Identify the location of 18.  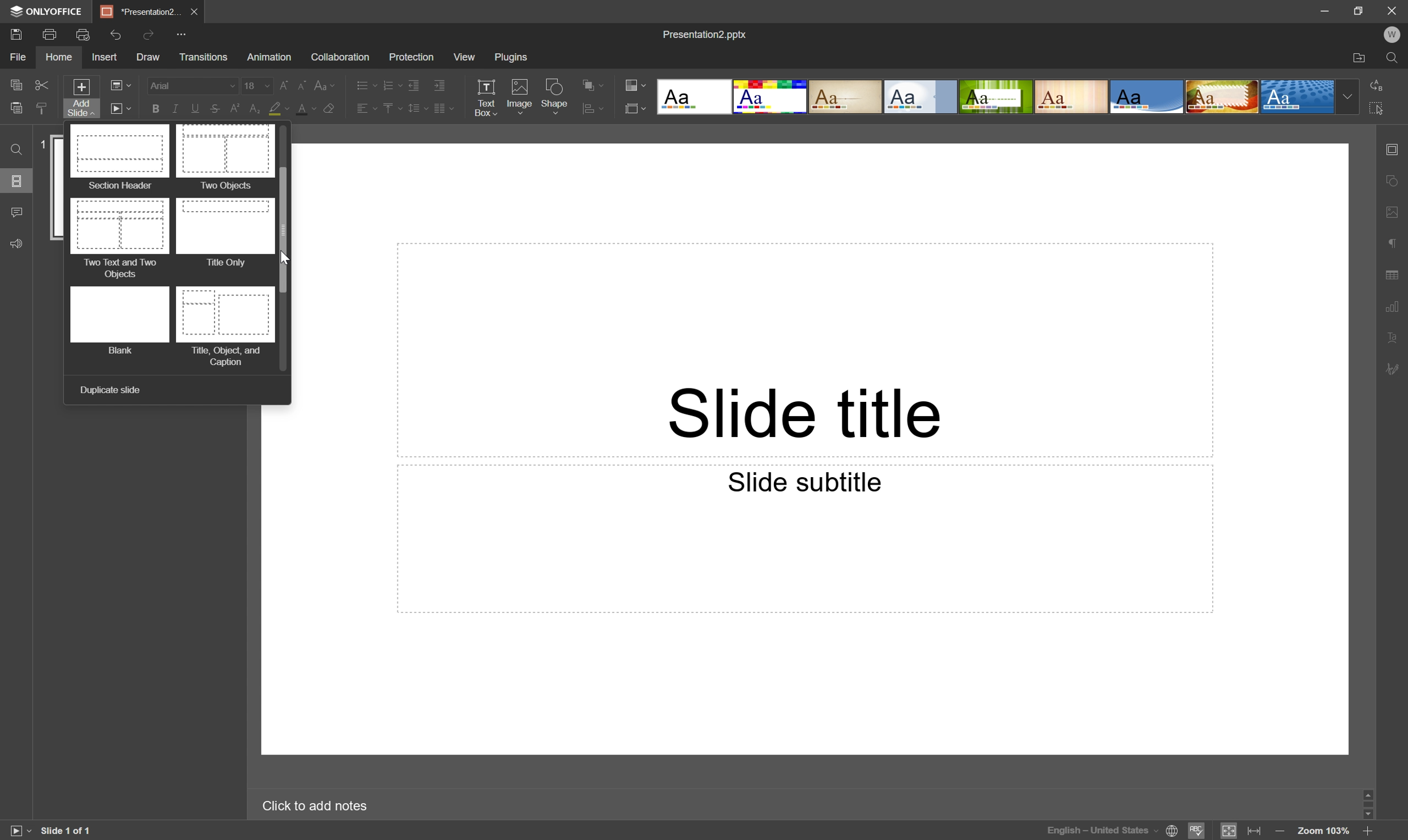
(255, 83).